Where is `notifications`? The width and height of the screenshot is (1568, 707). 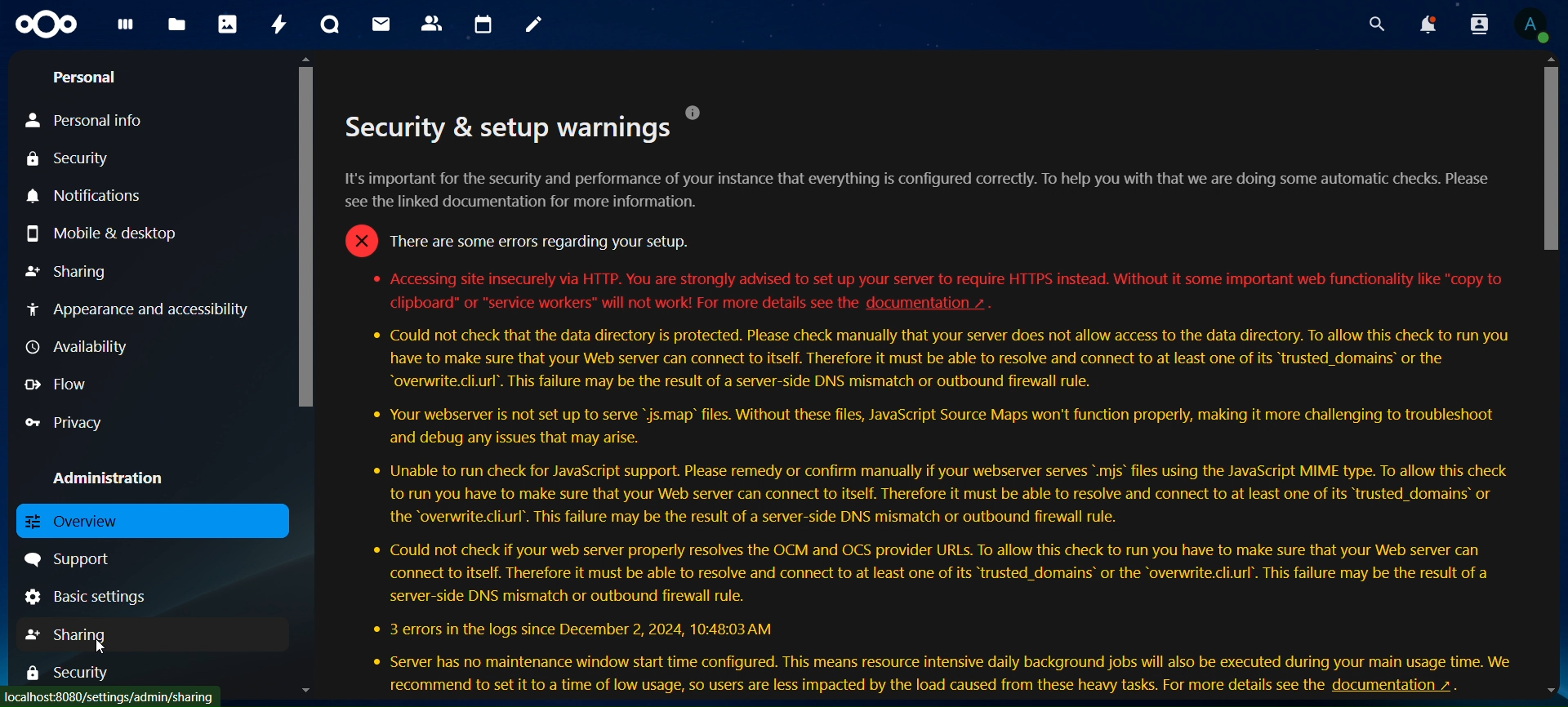
notifications is located at coordinates (1425, 23).